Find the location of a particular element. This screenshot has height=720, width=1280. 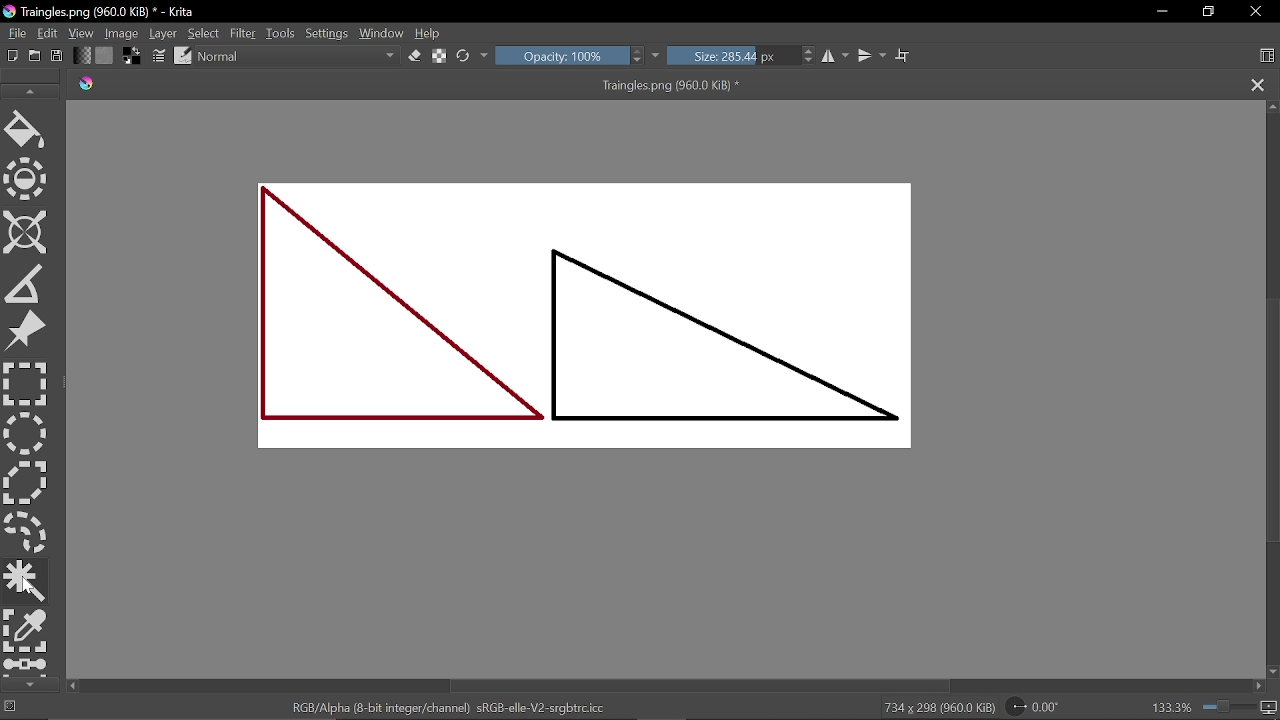

Rotate is located at coordinates (1043, 705).